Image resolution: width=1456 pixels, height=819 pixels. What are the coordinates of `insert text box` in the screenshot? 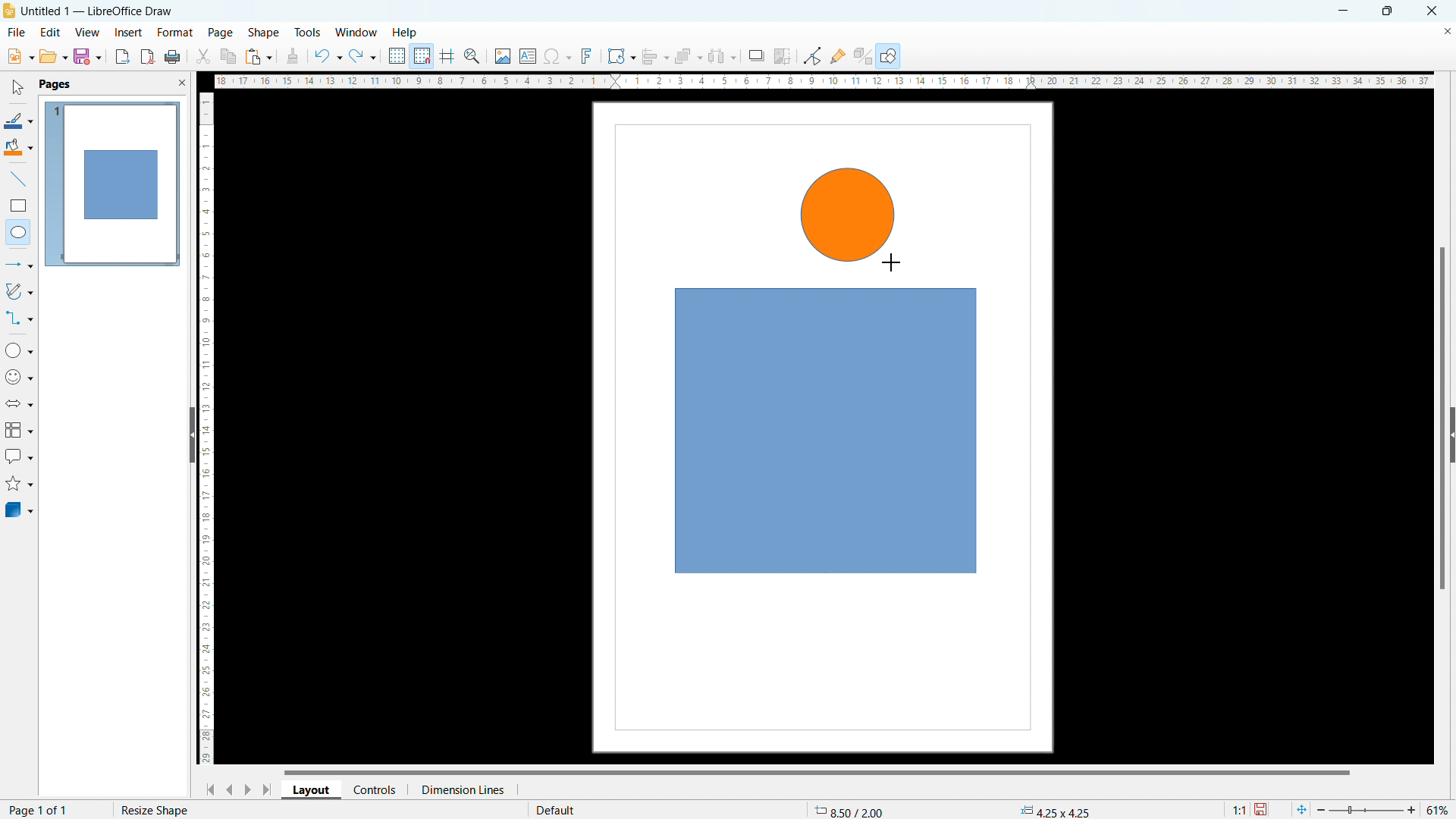 It's located at (529, 55).